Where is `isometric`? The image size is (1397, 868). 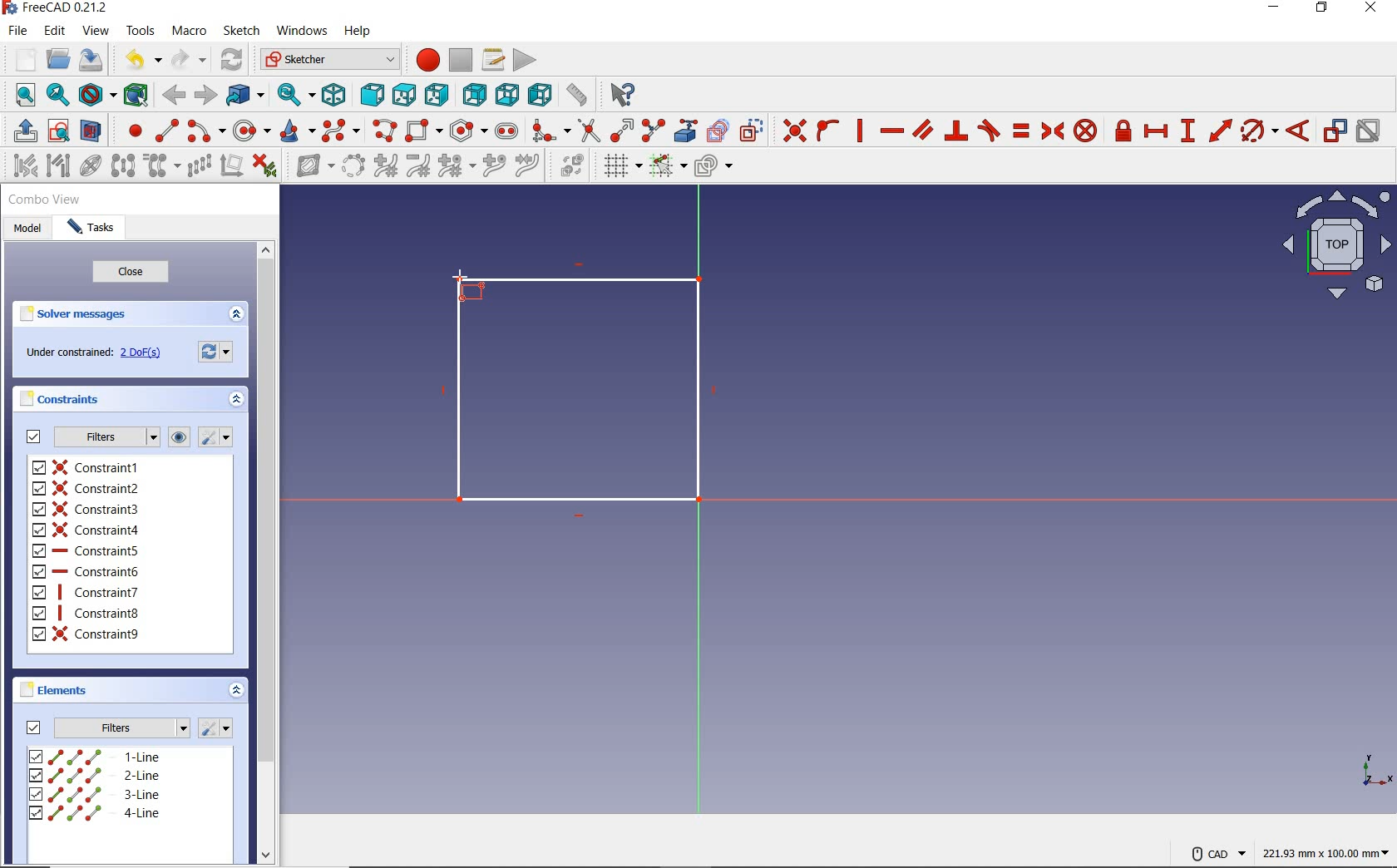 isometric is located at coordinates (333, 95).